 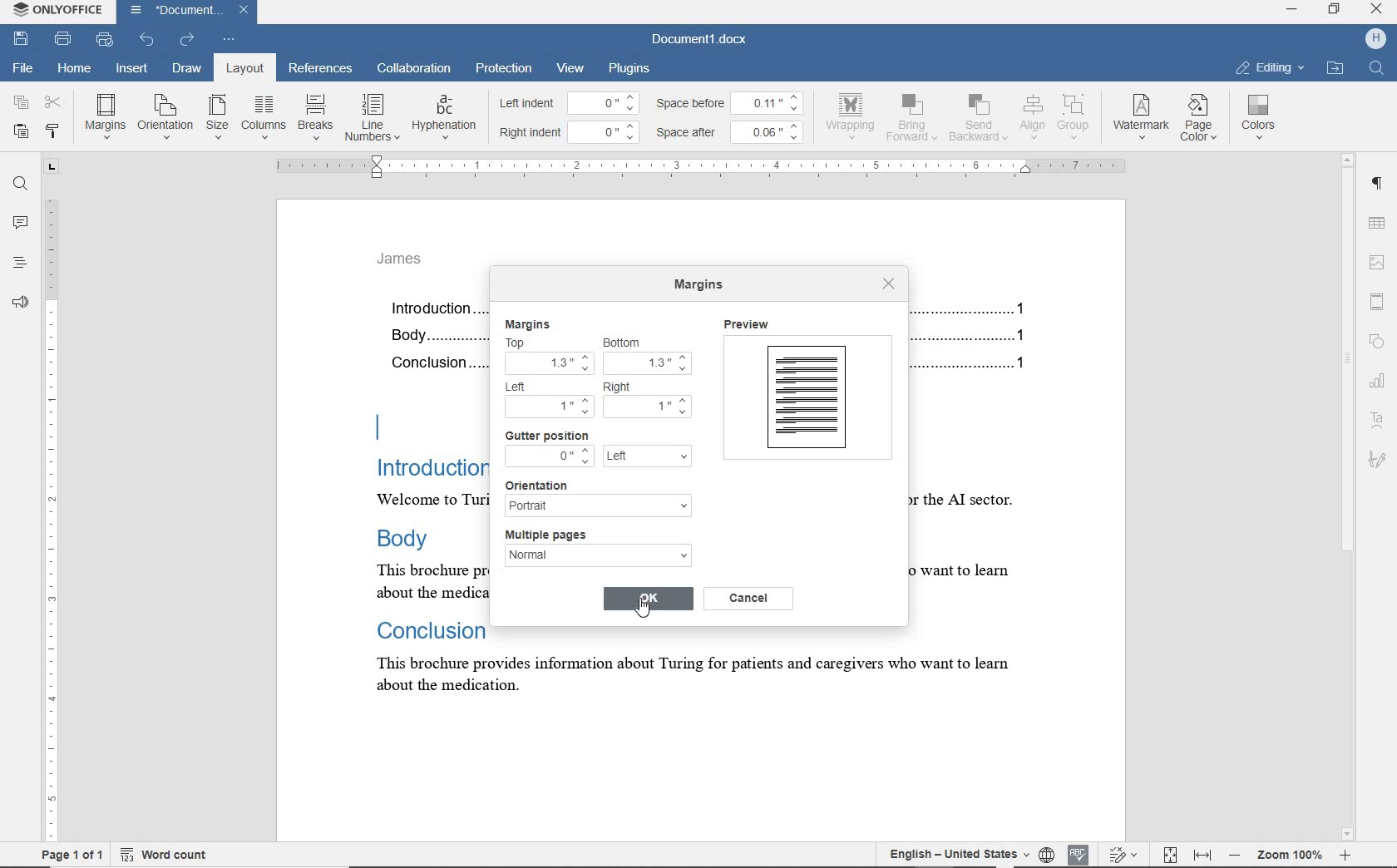 What do you see at coordinates (407, 264) in the screenshot?
I see `header text` at bounding box center [407, 264].